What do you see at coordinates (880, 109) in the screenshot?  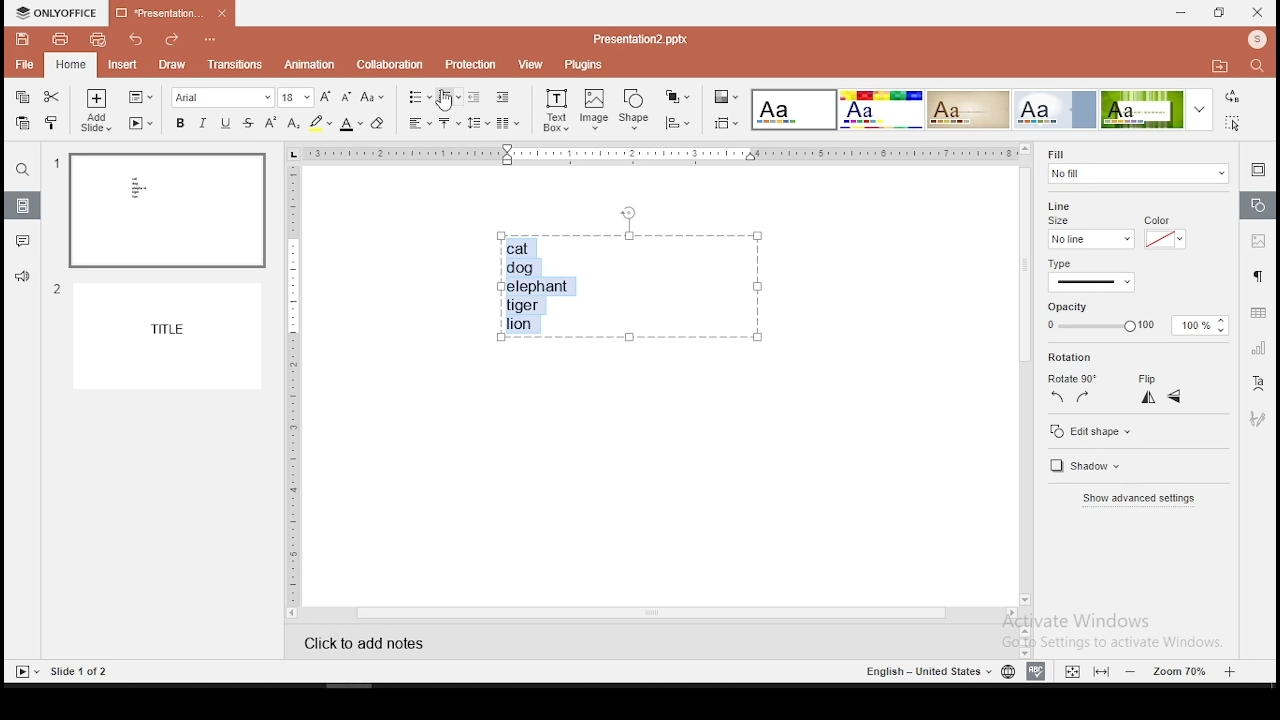 I see `theme ` at bounding box center [880, 109].